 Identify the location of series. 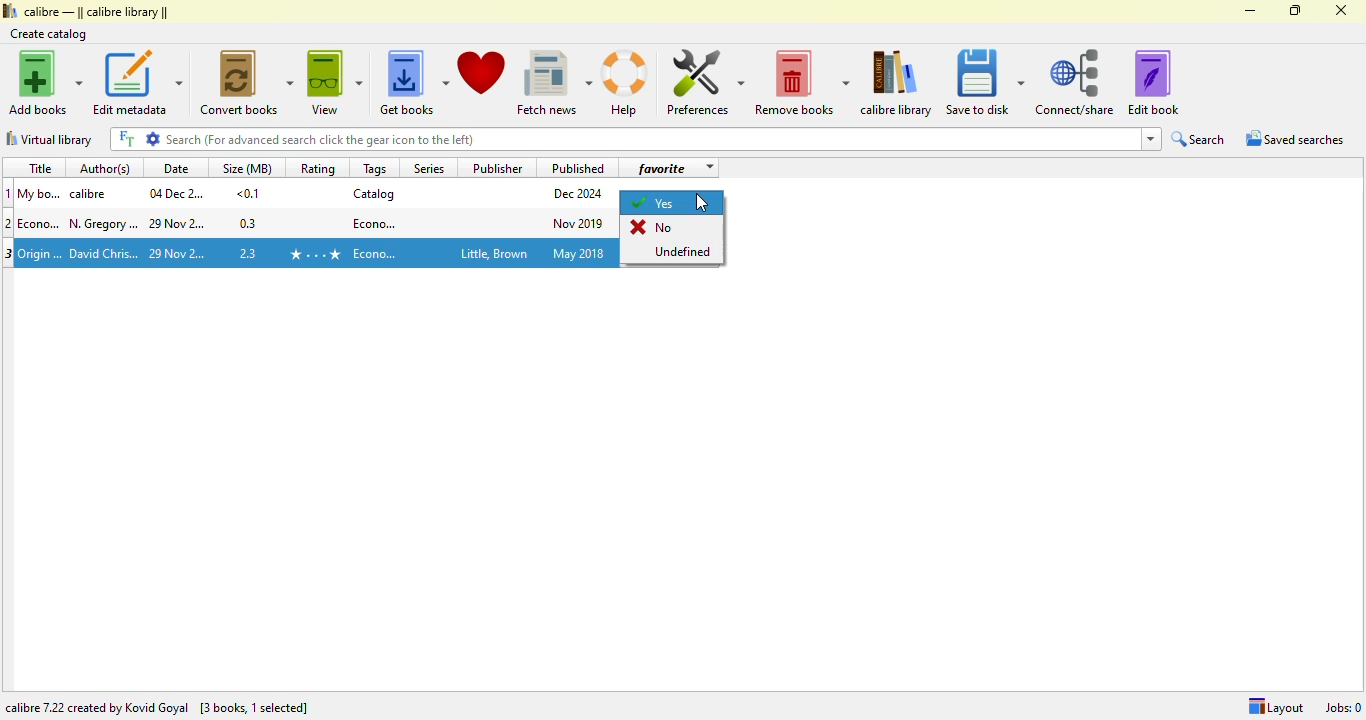
(427, 167).